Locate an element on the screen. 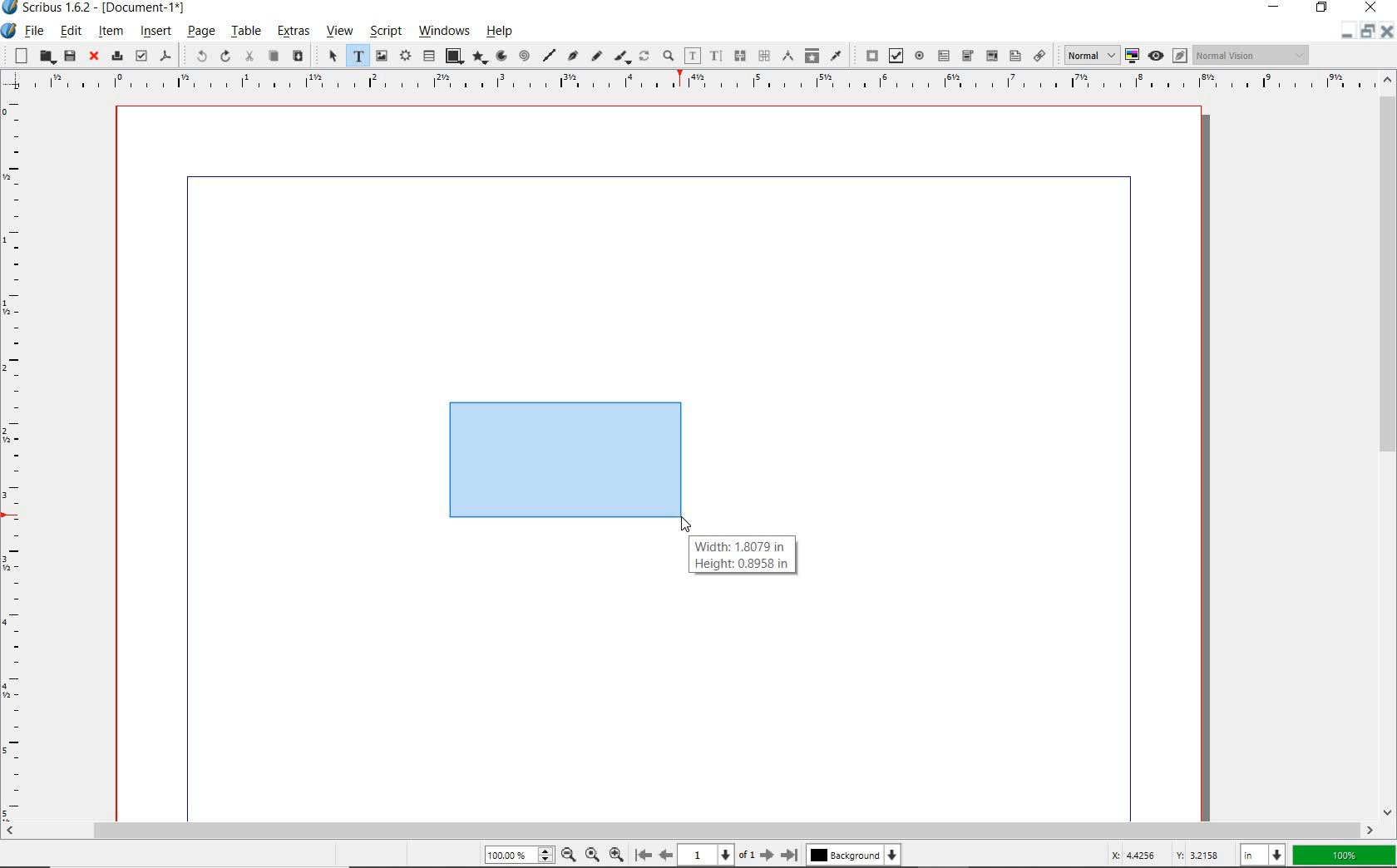 The height and width of the screenshot is (868, 1397). edit is located at coordinates (69, 32).